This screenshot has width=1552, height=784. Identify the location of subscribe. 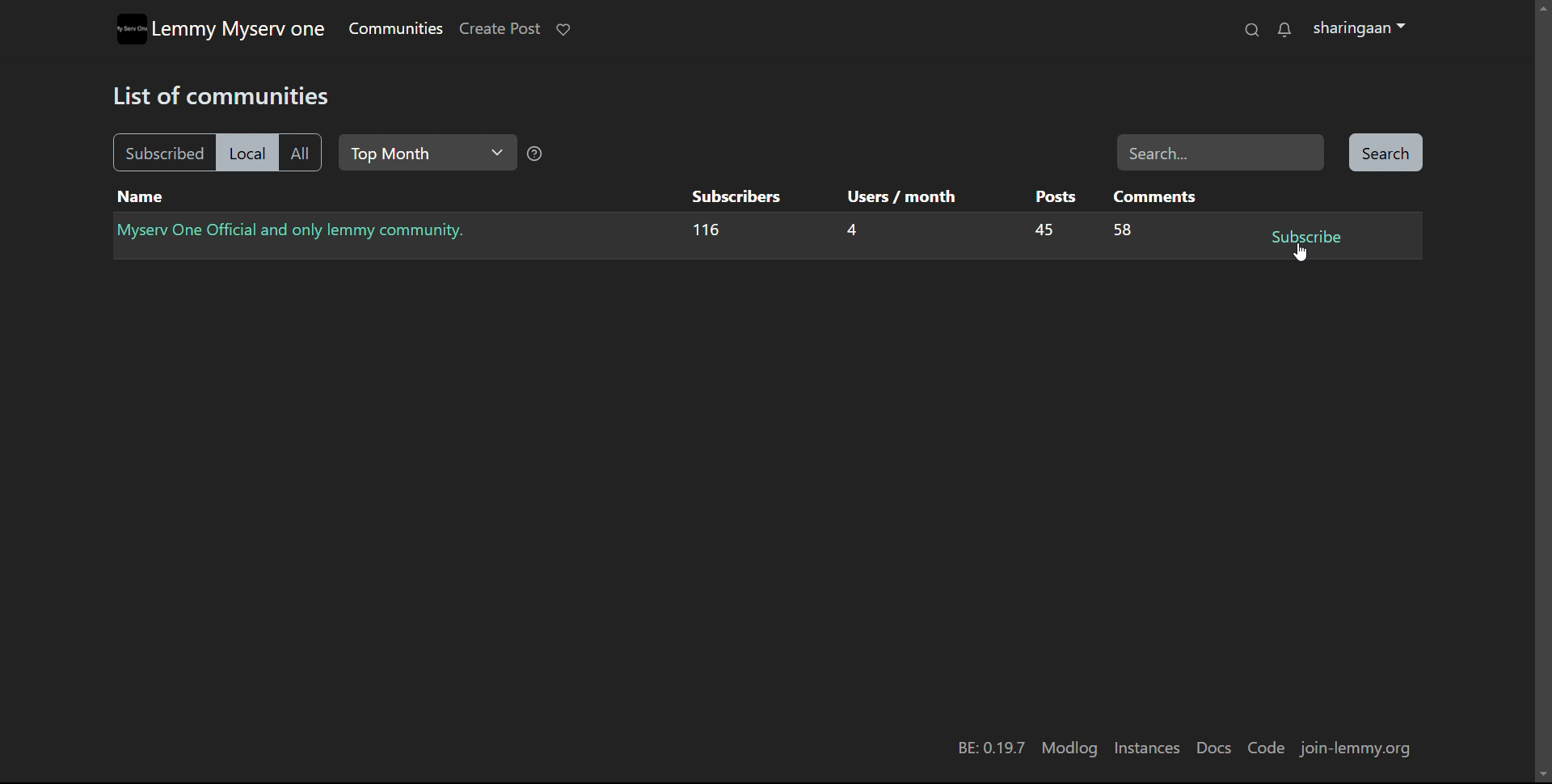
(1305, 237).